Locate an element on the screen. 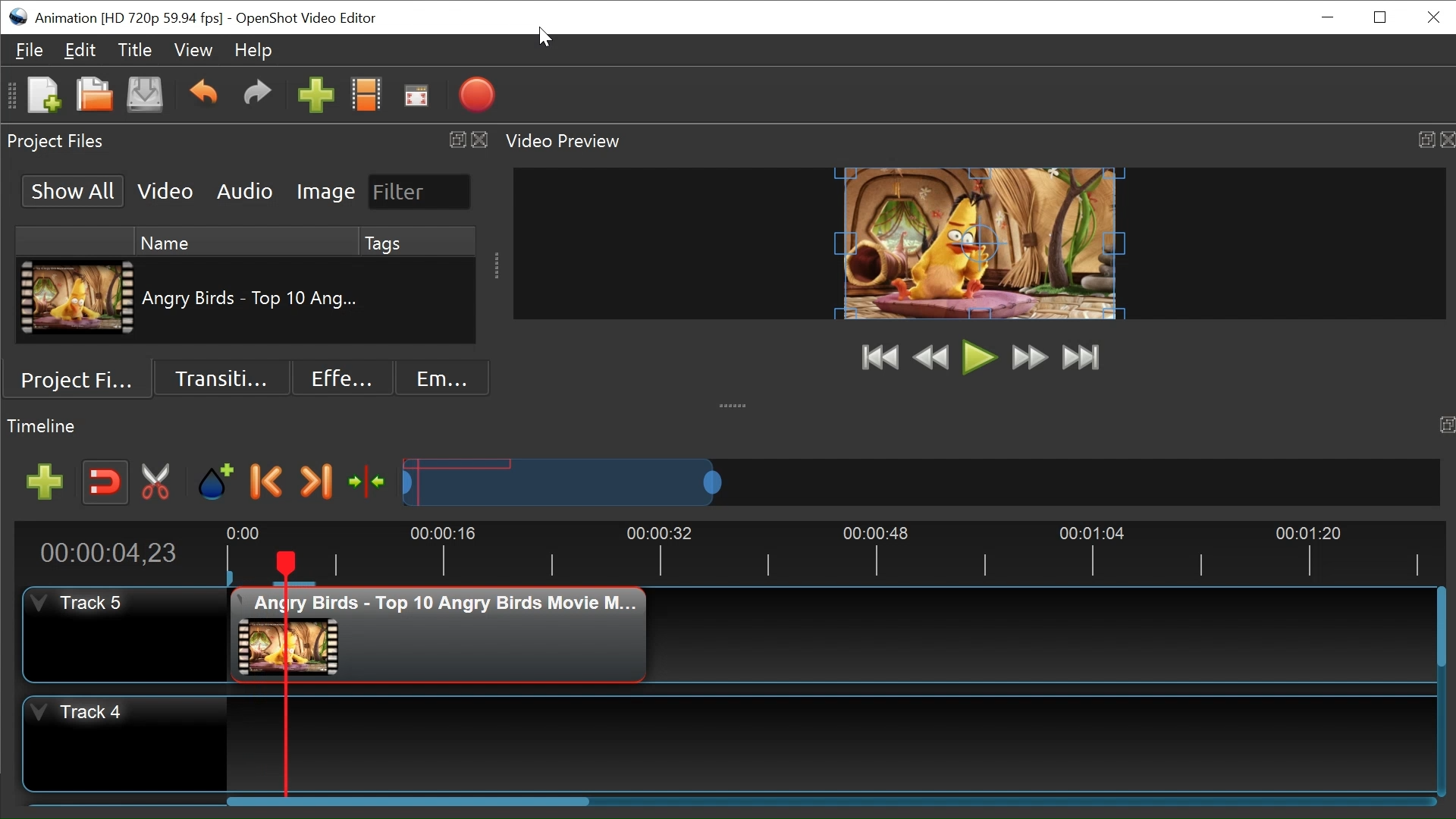  New Project is located at coordinates (42, 93).